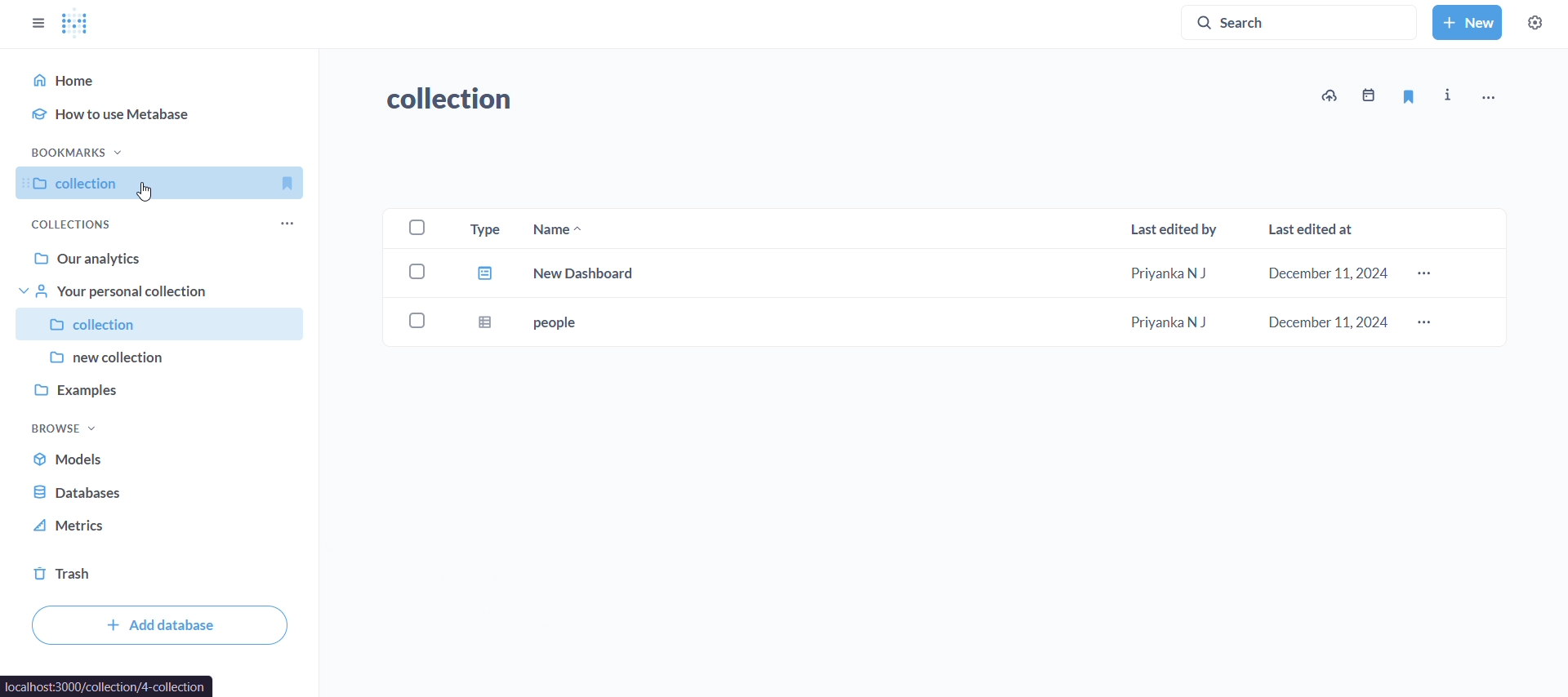 The height and width of the screenshot is (697, 1568). What do you see at coordinates (1370, 93) in the screenshot?
I see `events` at bounding box center [1370, 93].